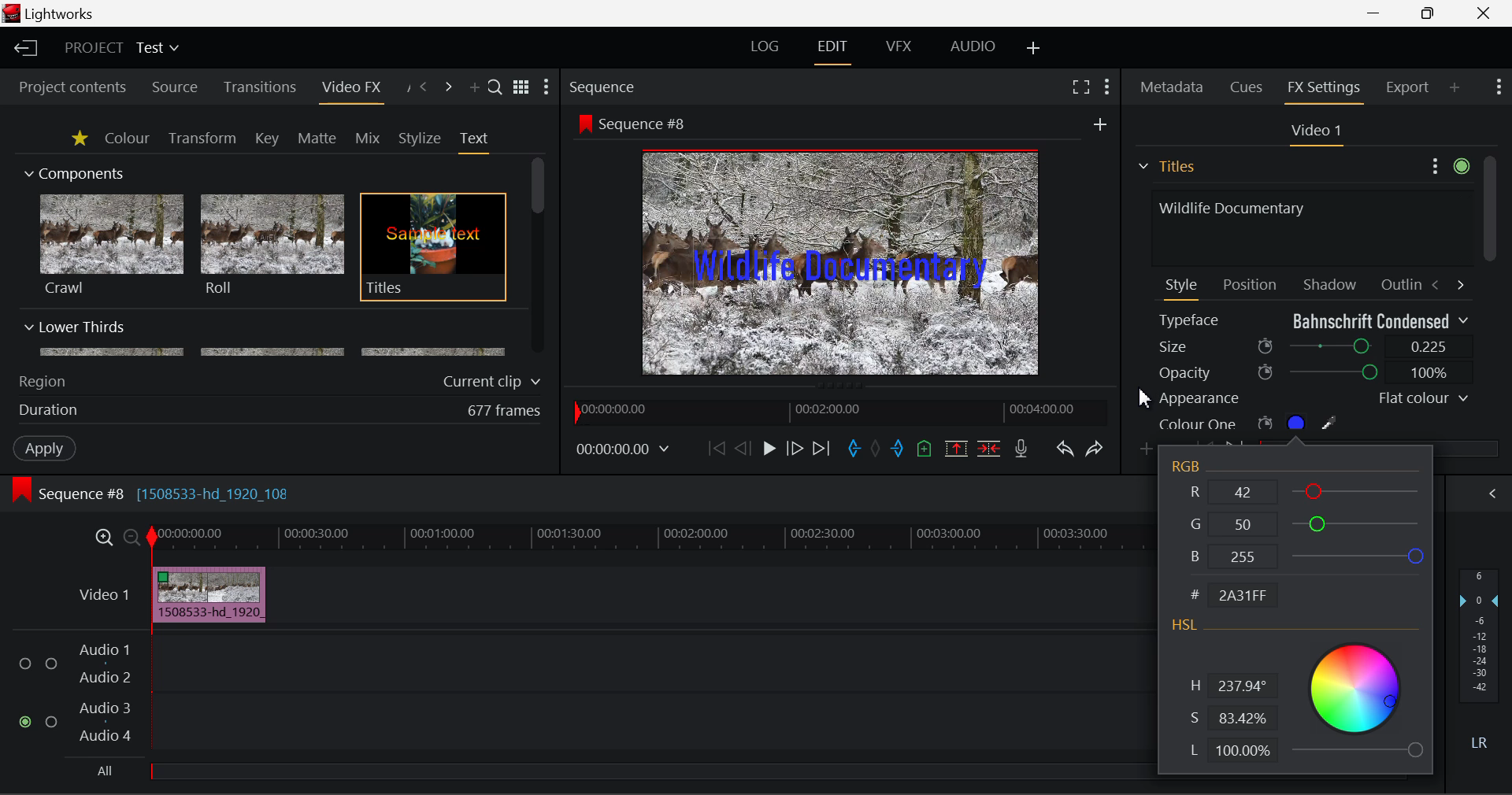  I want to click on FX Settings Open, so click(1326, 90).